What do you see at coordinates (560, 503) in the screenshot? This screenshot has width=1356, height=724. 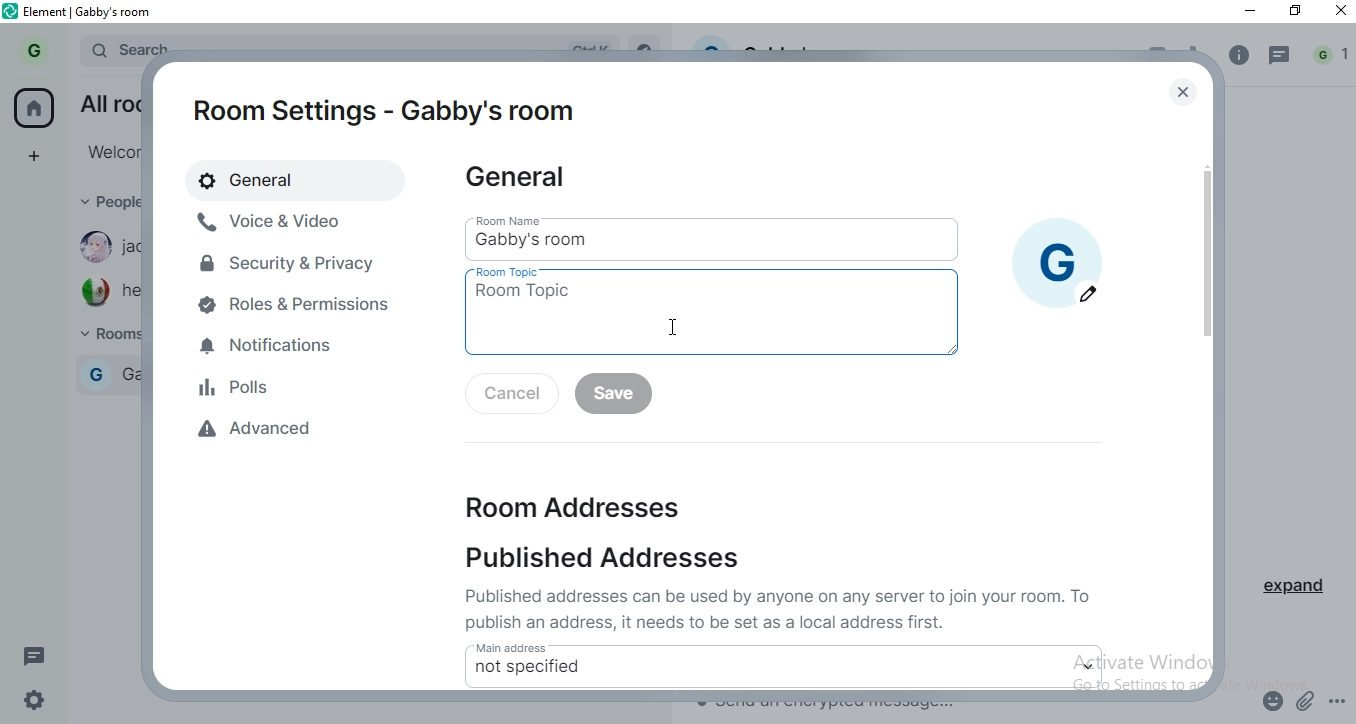 I see `room addresses` at bounding box center [560, 503].